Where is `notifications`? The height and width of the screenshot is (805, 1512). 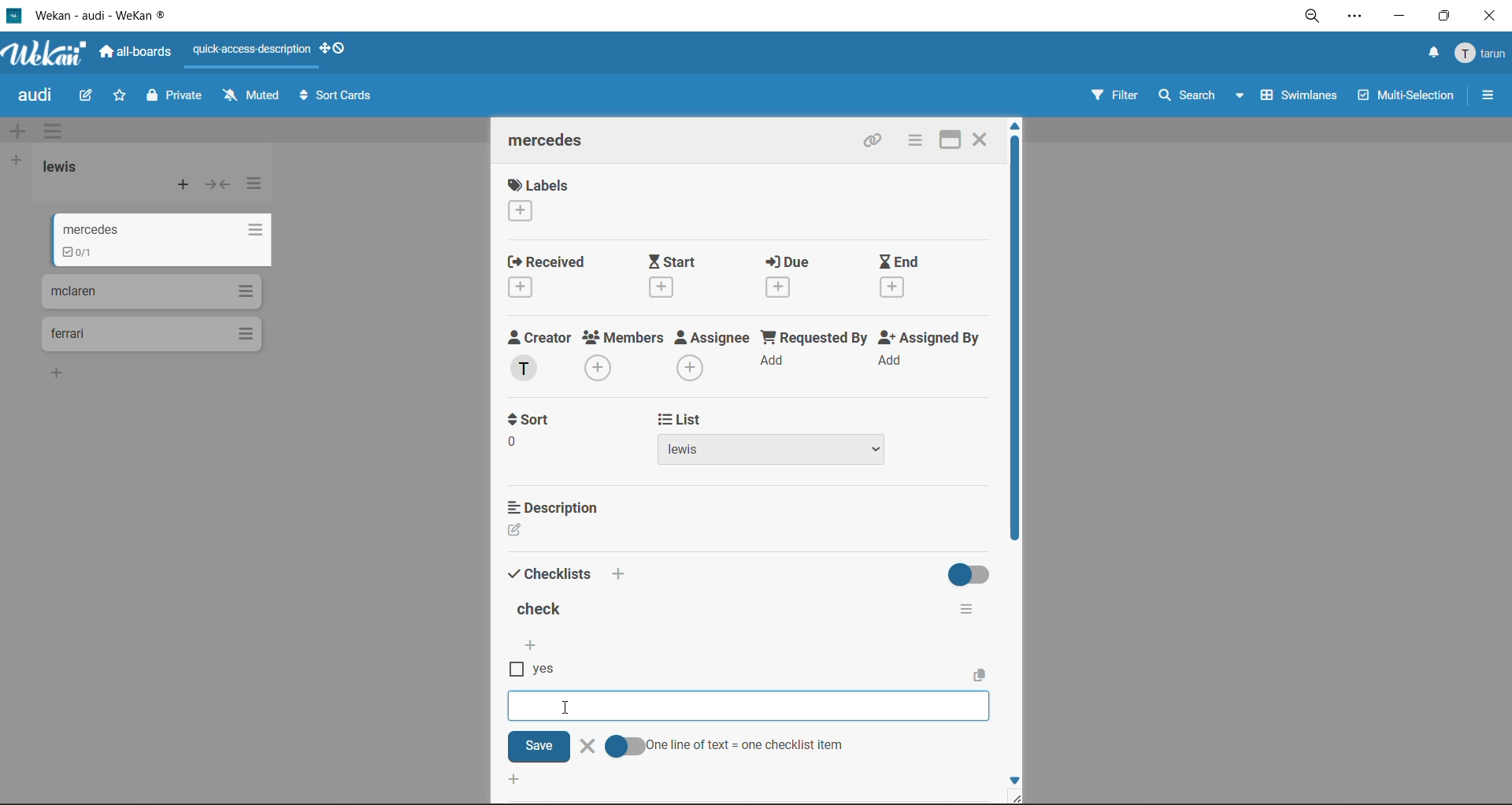
notifications is located at coordinates (1429, 53).